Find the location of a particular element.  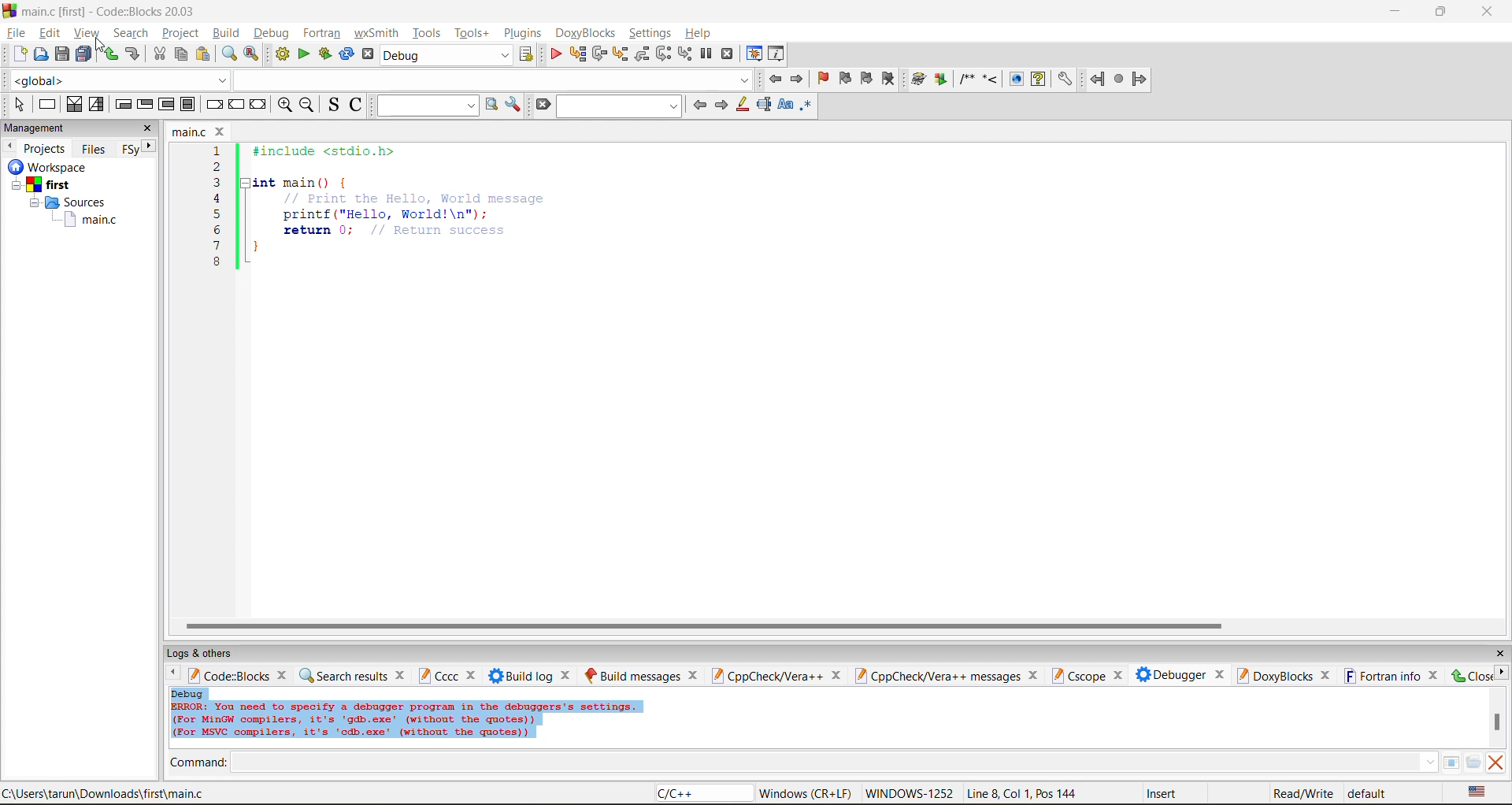

Command tools is located at coordinates (1461, 763).